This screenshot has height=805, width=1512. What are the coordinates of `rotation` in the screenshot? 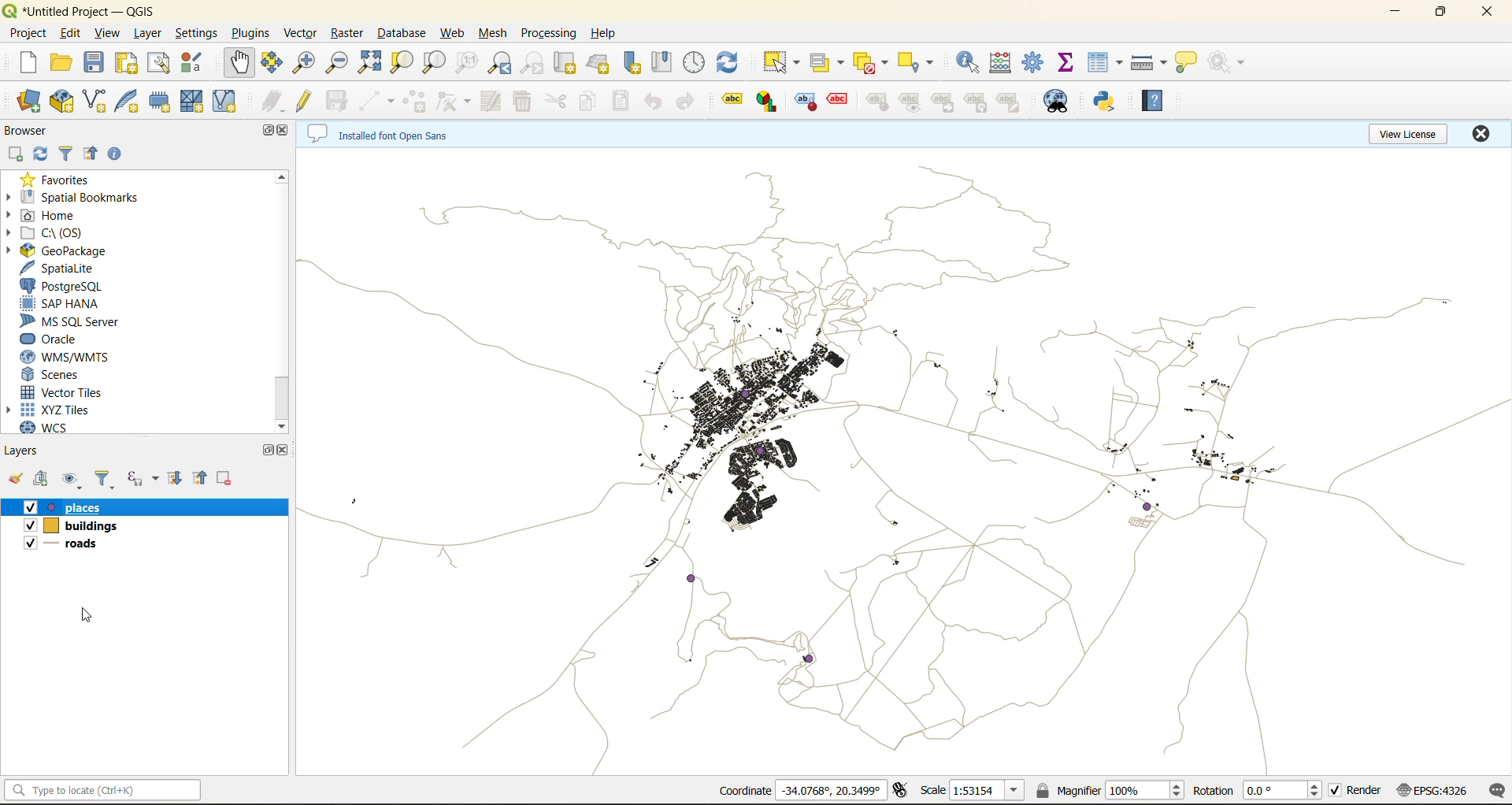 It's located at (1285, 791).